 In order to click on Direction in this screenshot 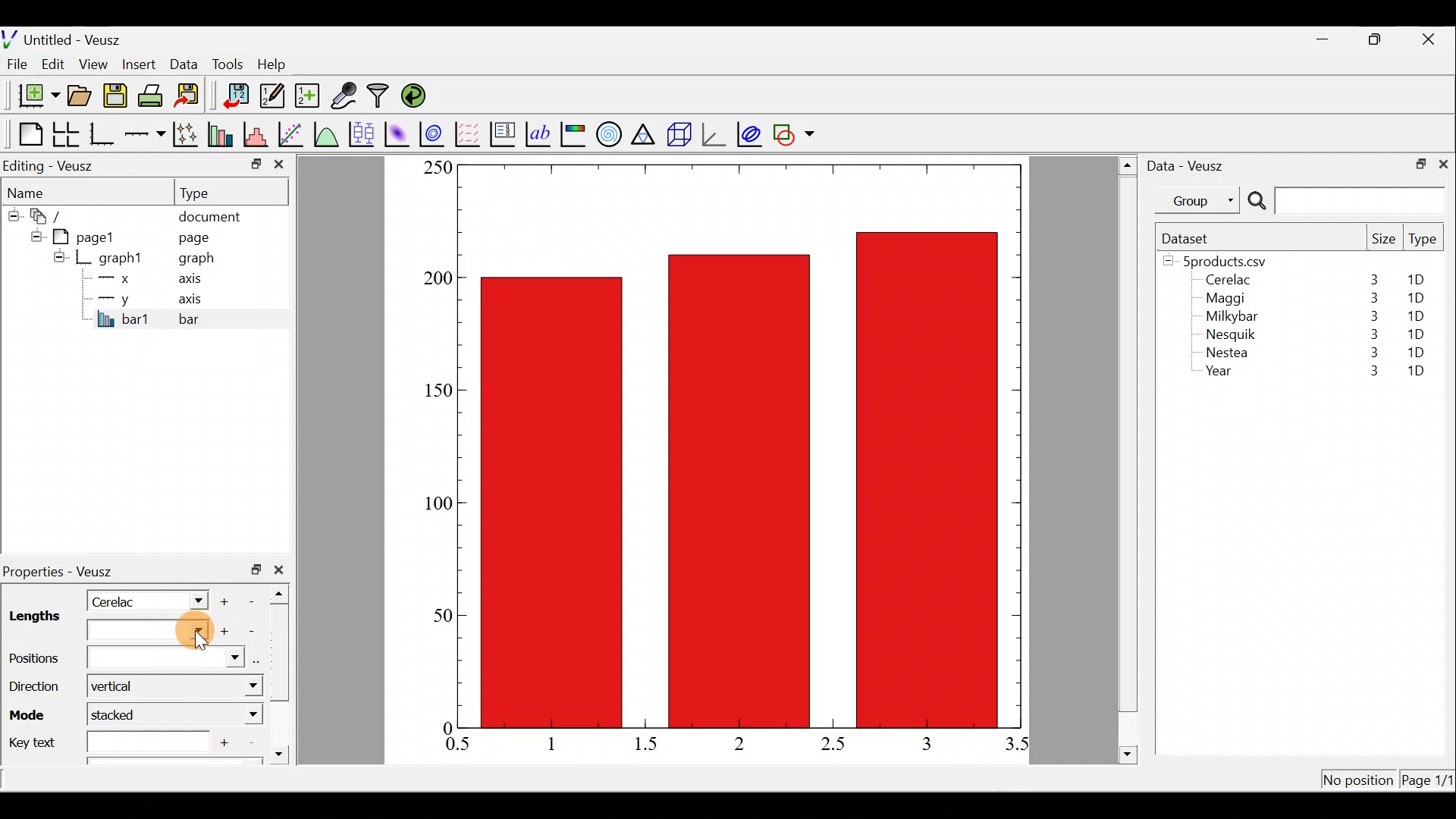, I will do `click(32, 682)`.